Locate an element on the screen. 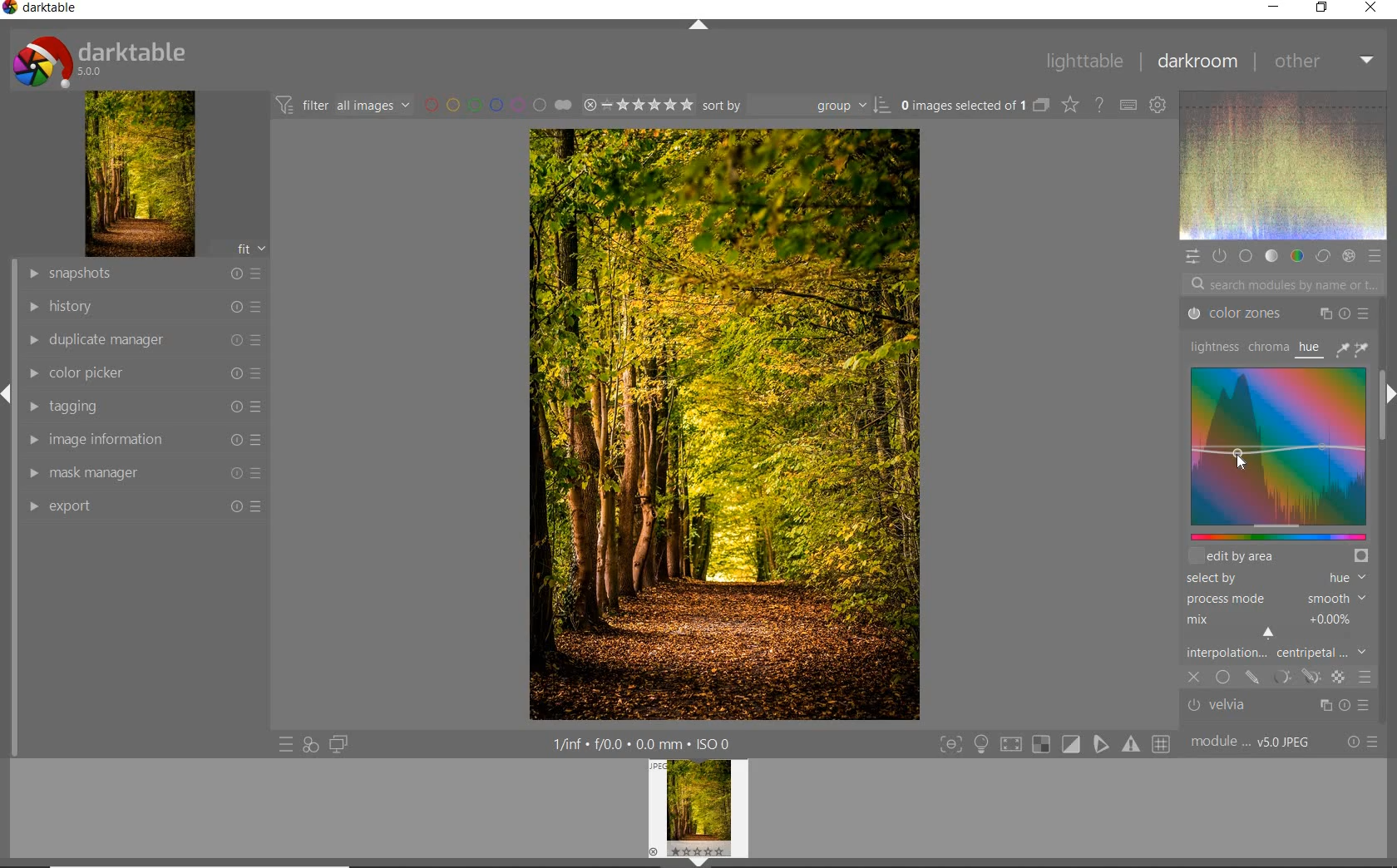 The height and width of the screenshot is (868, 1397). DARKROOM is located at coordinates (1198, 63).